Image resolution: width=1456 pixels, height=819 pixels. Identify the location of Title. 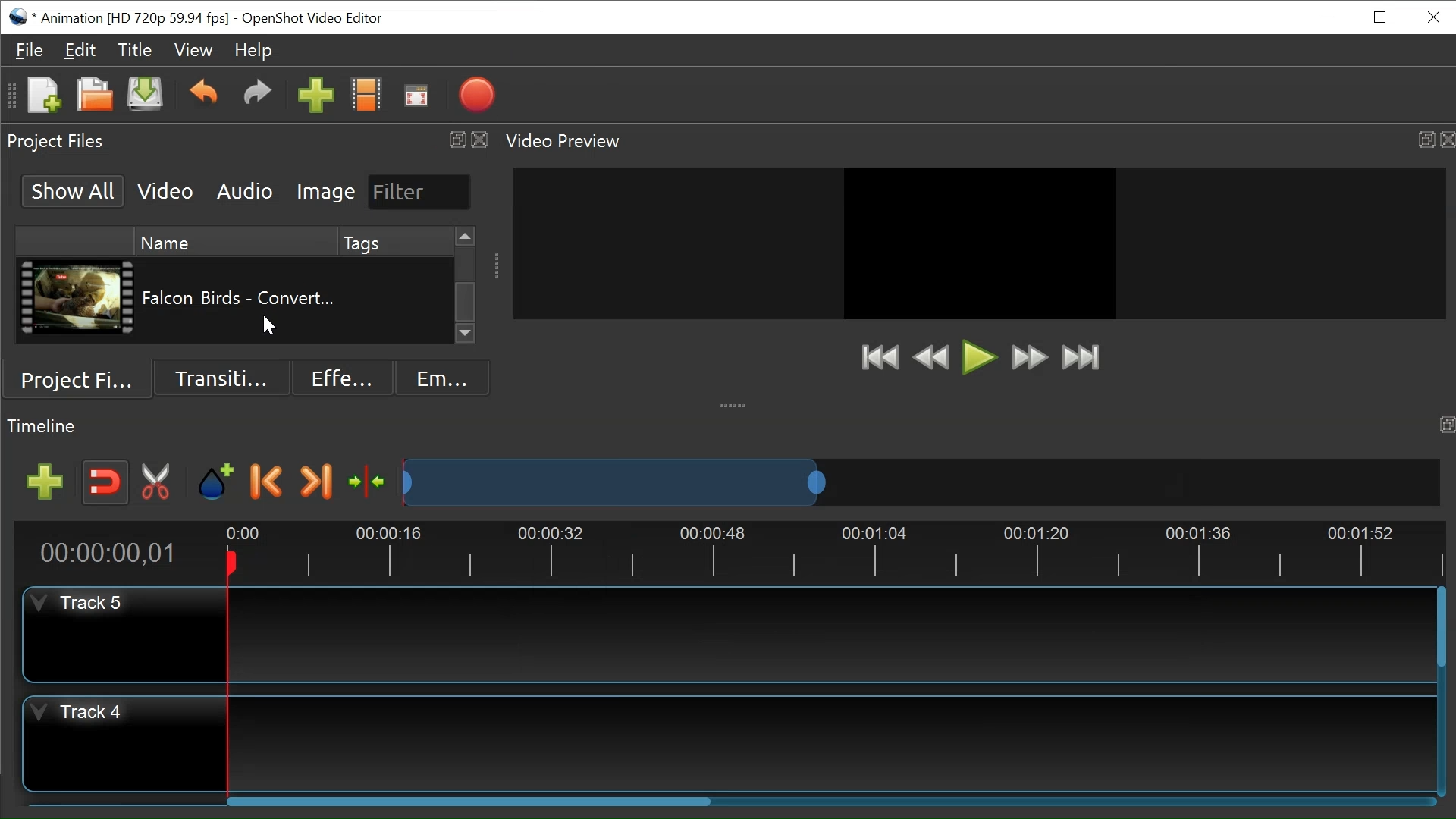
(135, 50).